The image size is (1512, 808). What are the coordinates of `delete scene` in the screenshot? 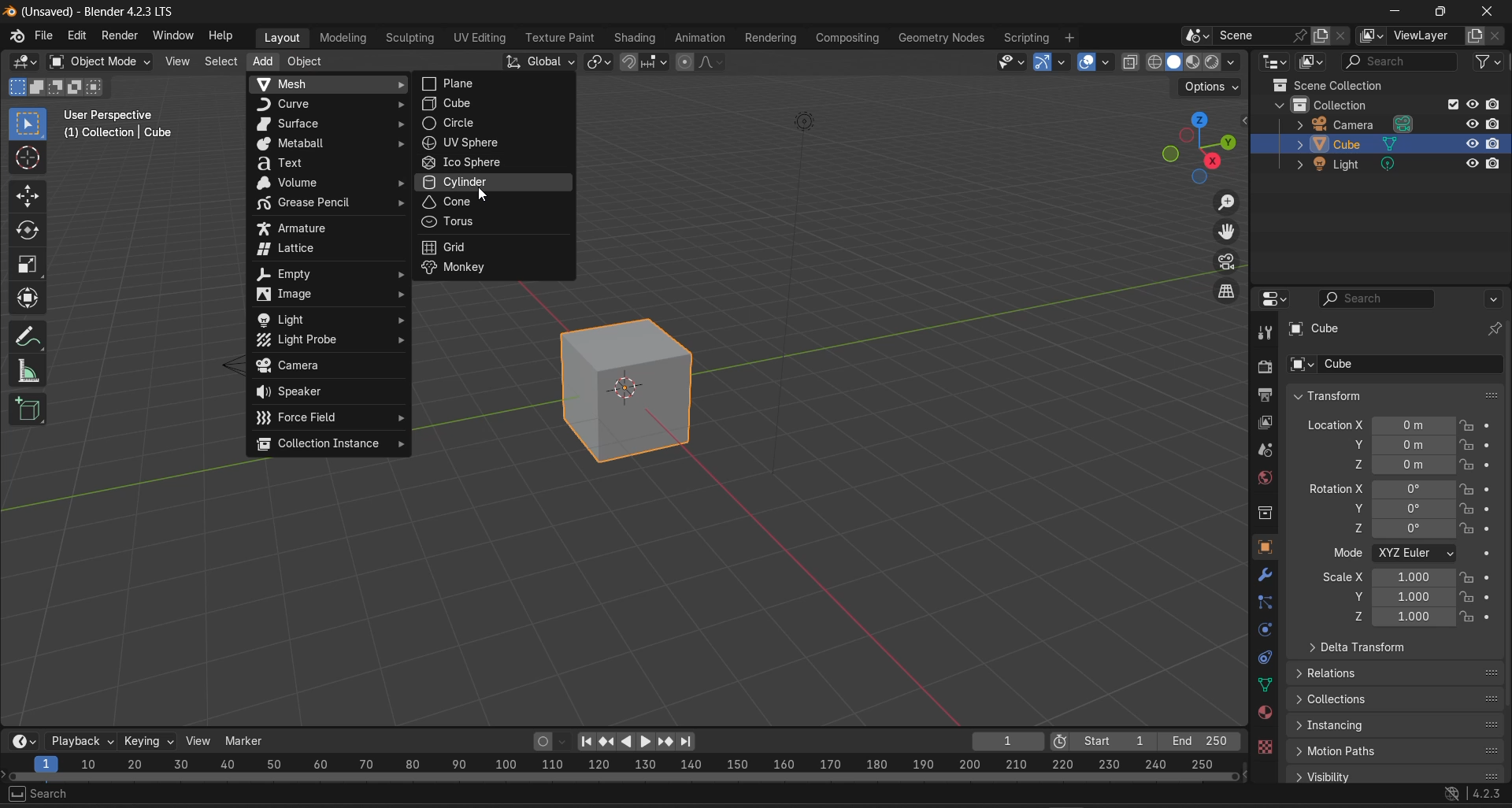 It's located at (1340, 35).